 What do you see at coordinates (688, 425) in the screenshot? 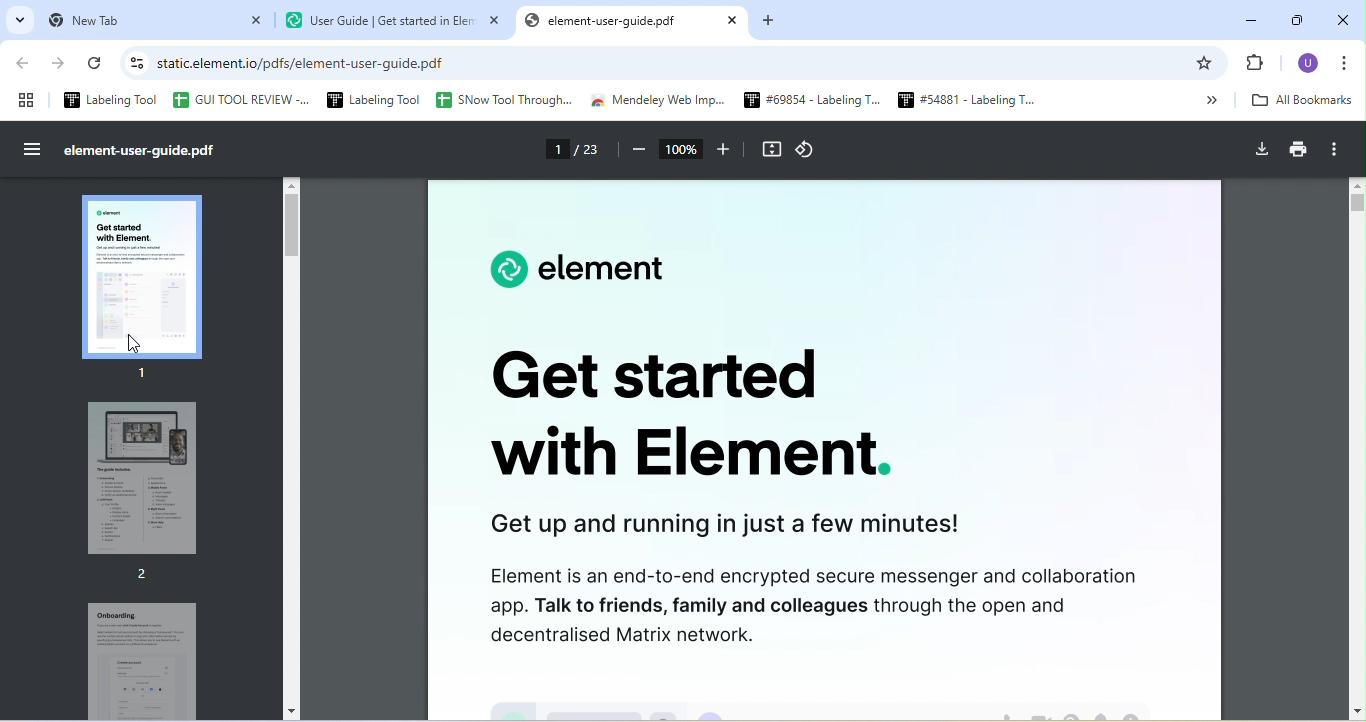
I see `get started with element` at bounding box center [688, 425].